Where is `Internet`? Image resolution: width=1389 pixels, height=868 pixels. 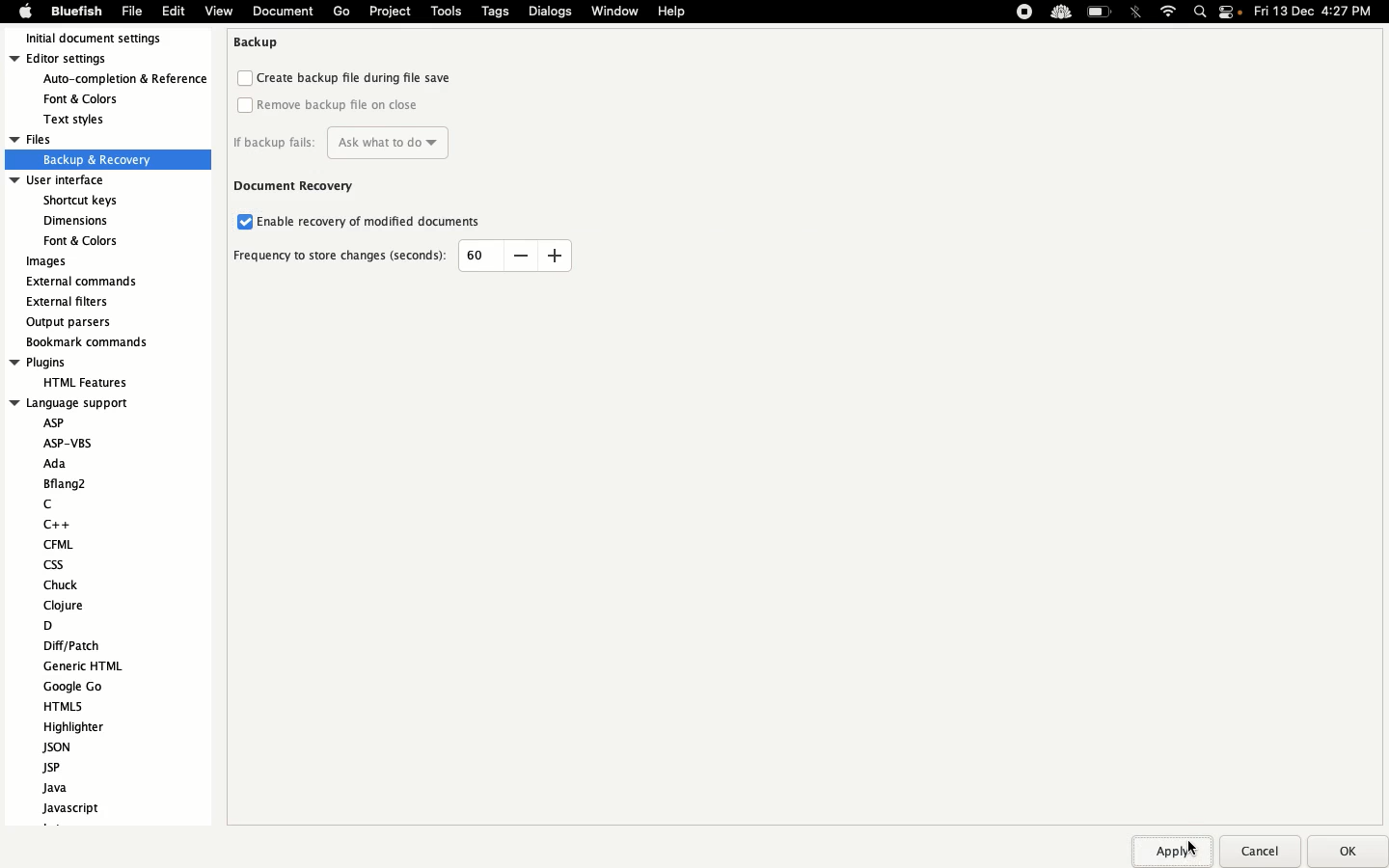 Internet is located at coordinates (1167, 11).